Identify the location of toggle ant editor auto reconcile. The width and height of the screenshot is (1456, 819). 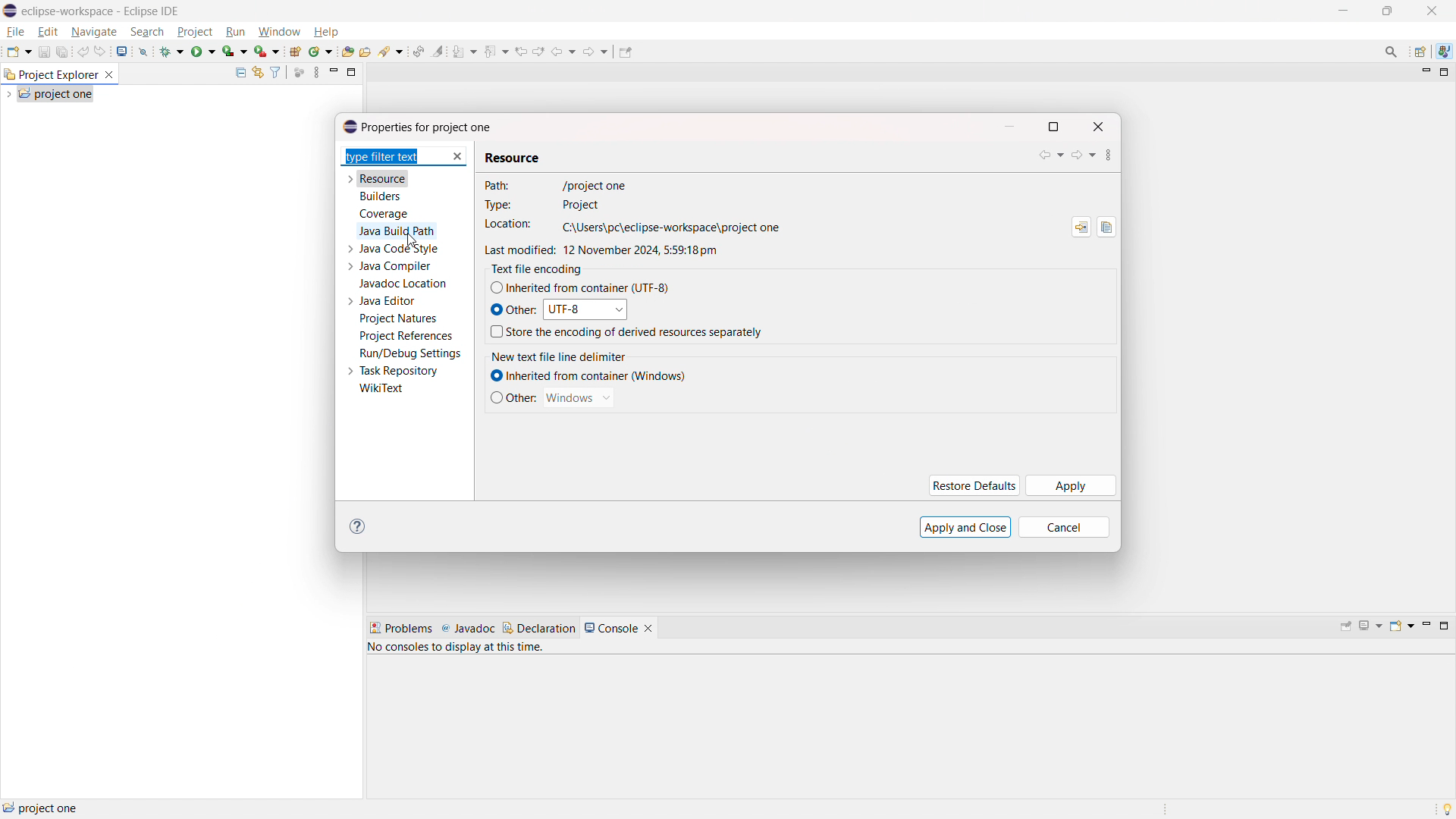
(418, 51).